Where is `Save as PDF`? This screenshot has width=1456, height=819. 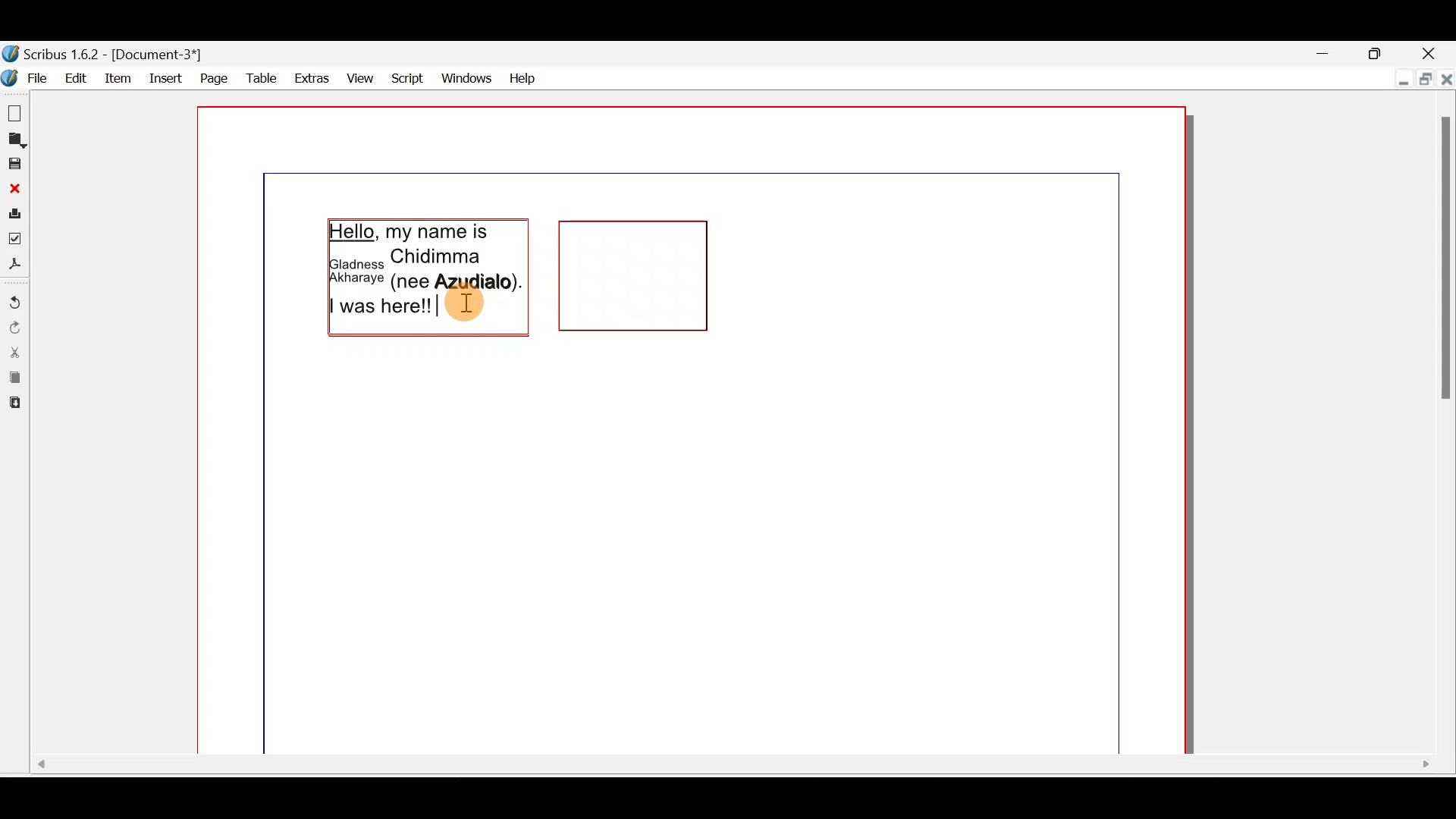 Save as PDF is located at coordinates (15, 265).